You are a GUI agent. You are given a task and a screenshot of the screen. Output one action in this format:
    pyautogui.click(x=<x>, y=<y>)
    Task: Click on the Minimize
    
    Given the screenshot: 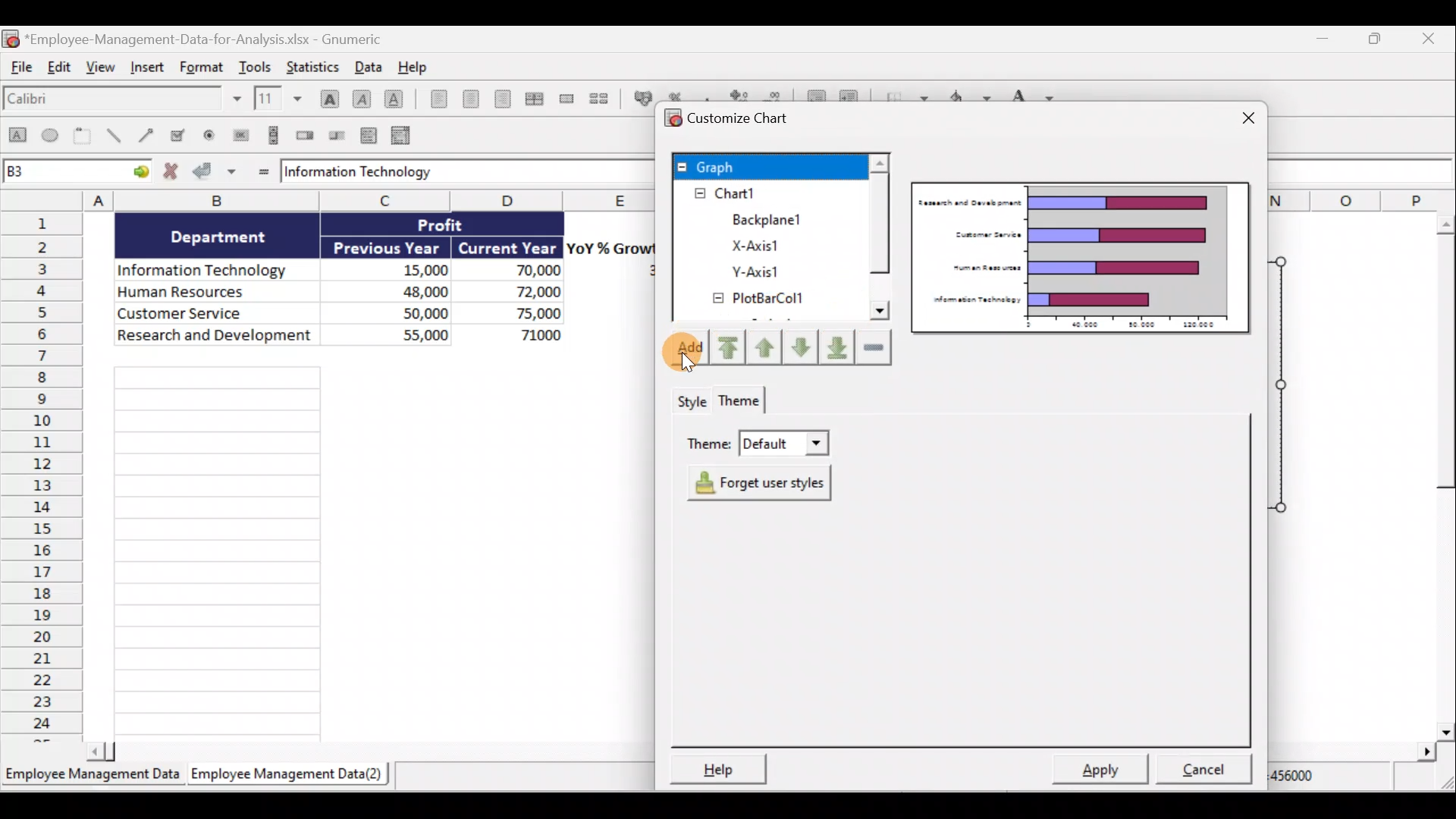 What is the action you would take?
    pyautogui.click(x=1321, y=40)
    